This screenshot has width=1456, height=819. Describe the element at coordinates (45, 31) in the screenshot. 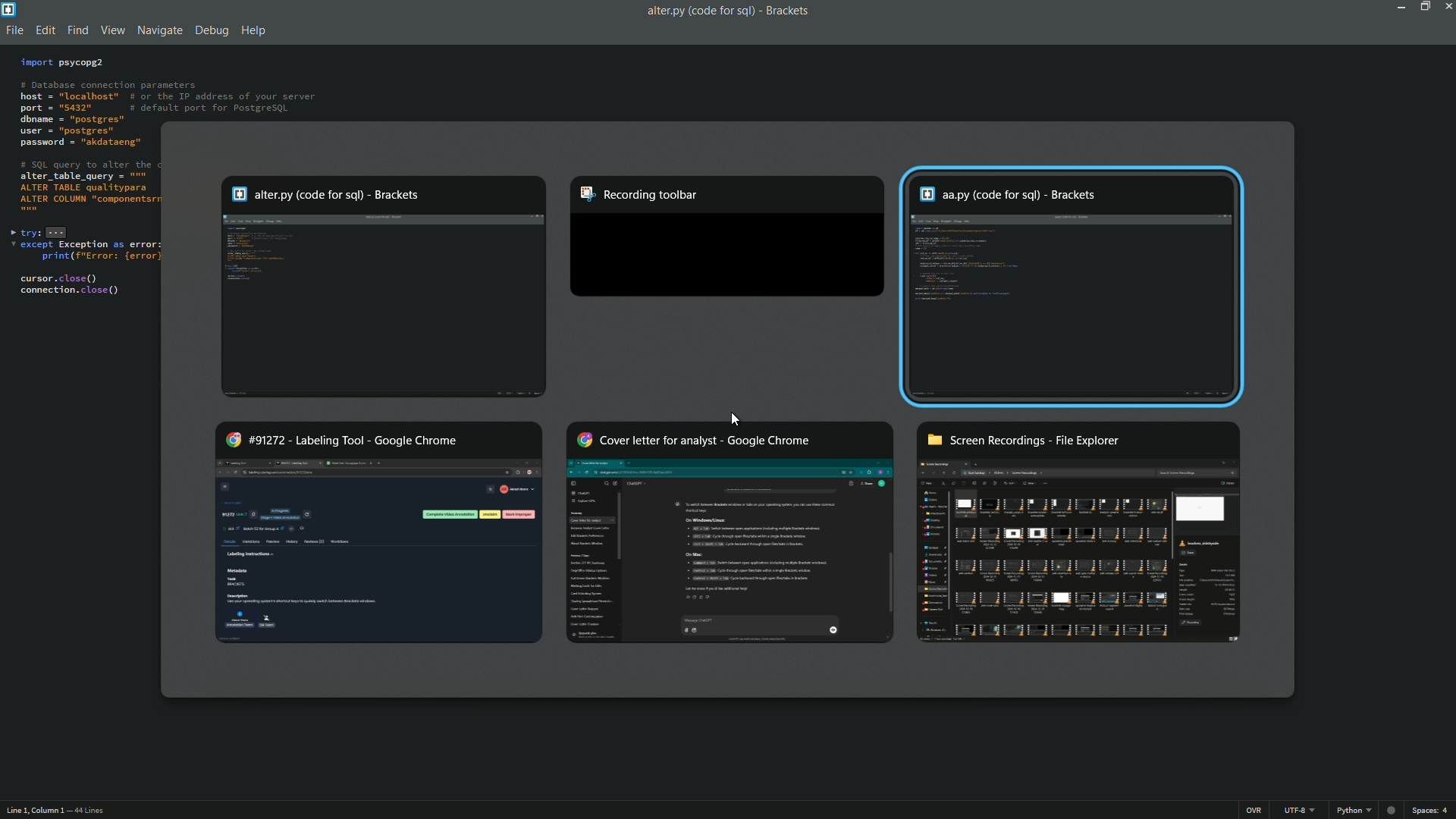

I see `edit menu` at that location.